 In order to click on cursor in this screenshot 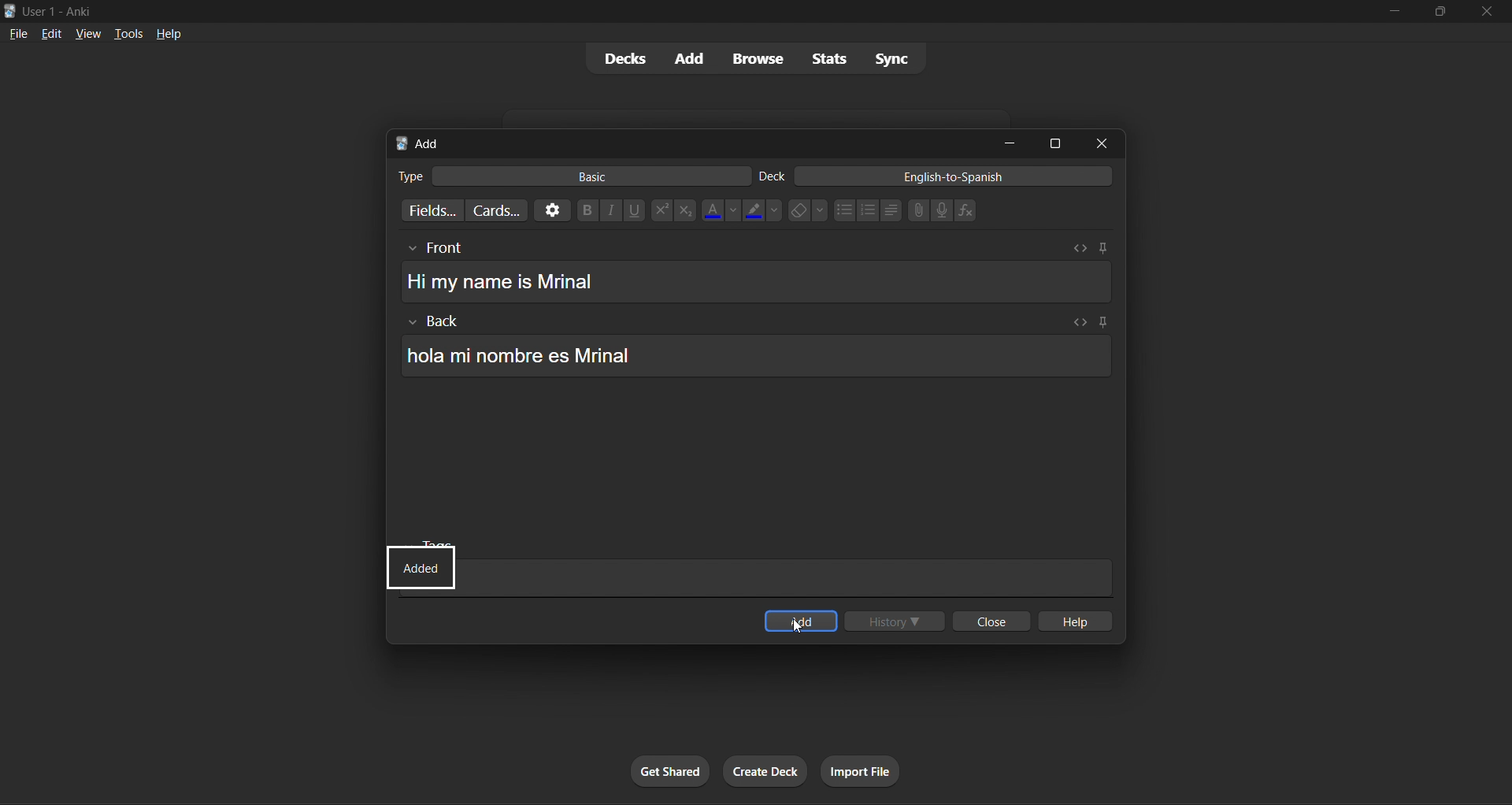, I will do `click(791, 630)`.